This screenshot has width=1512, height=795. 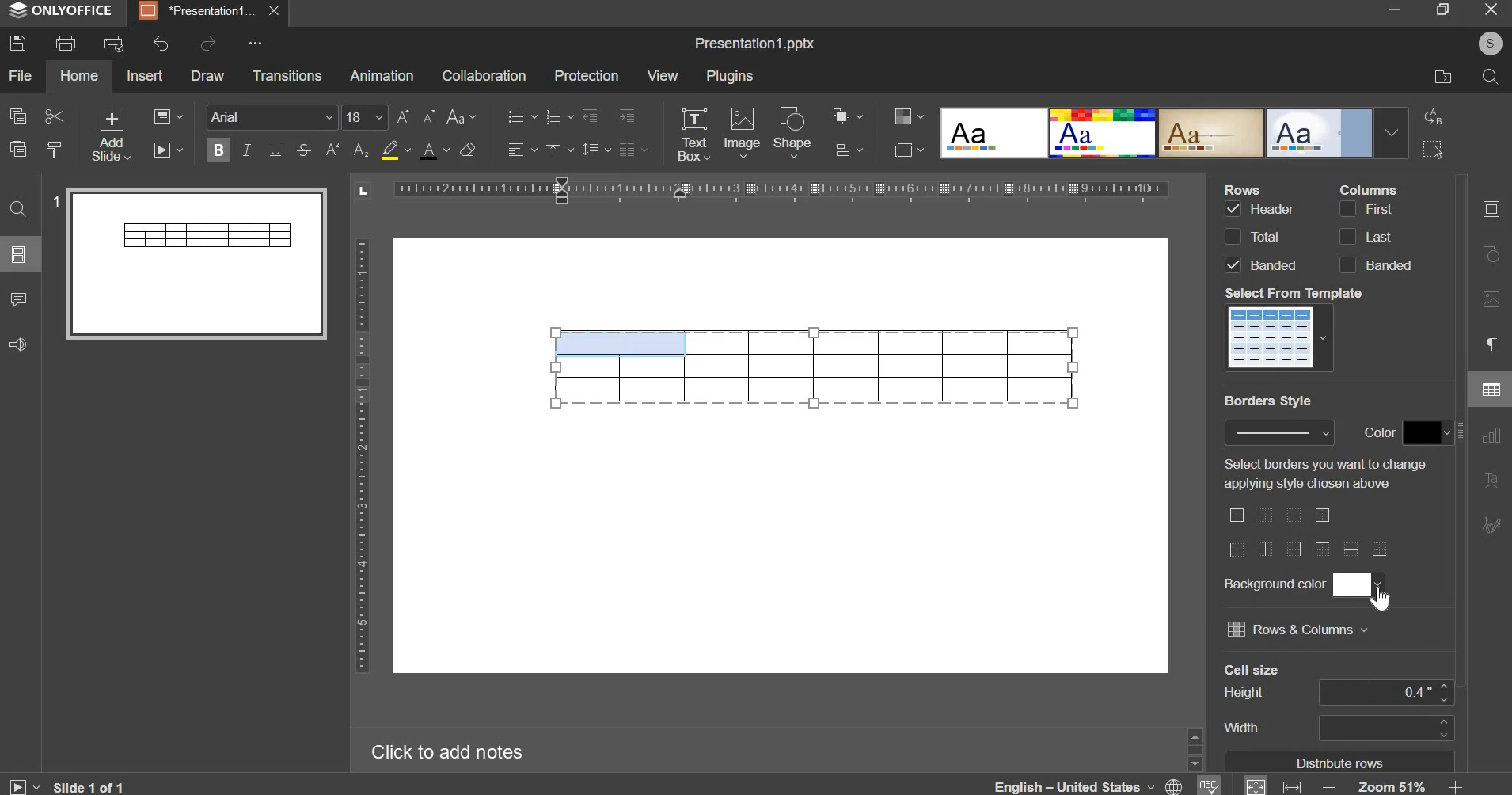 What do you see at coordinates (1282, 337) in the screenshot?
I see `template` at bounding box center [1282, 337].